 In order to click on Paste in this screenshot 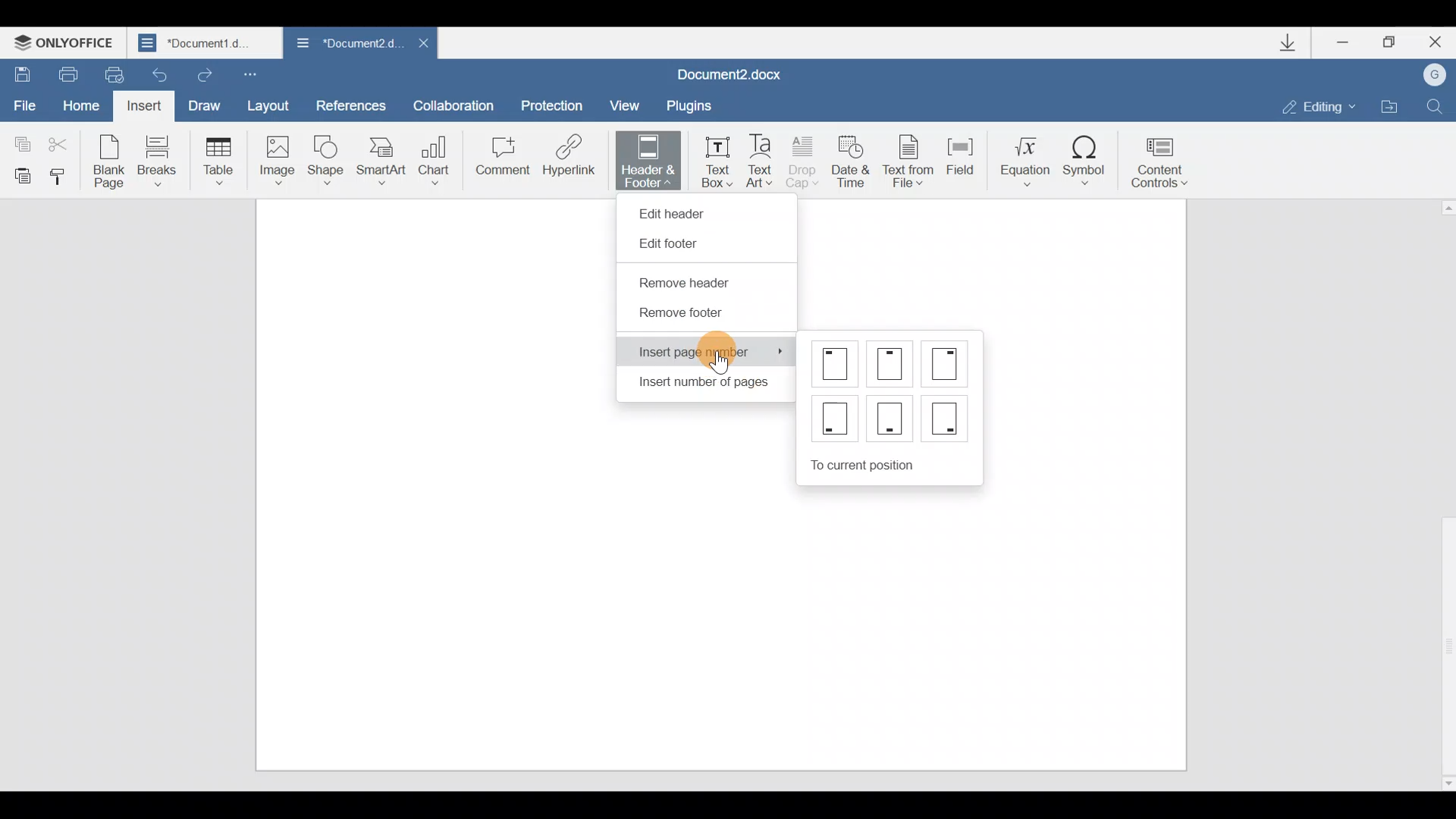, I will do `click(20, 174)`.